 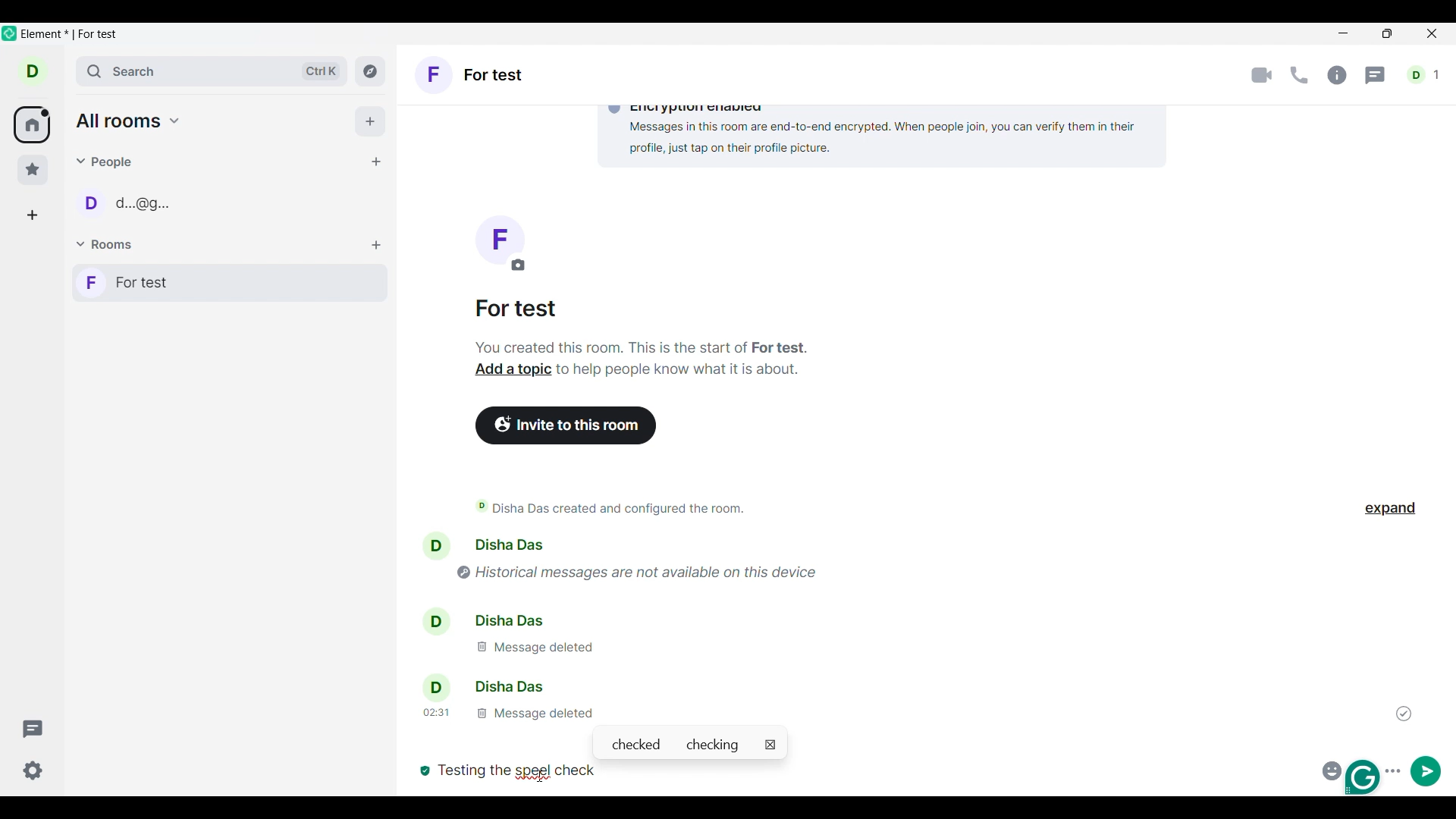 I want to click on Show all rooms, so click(x=129, y=121).